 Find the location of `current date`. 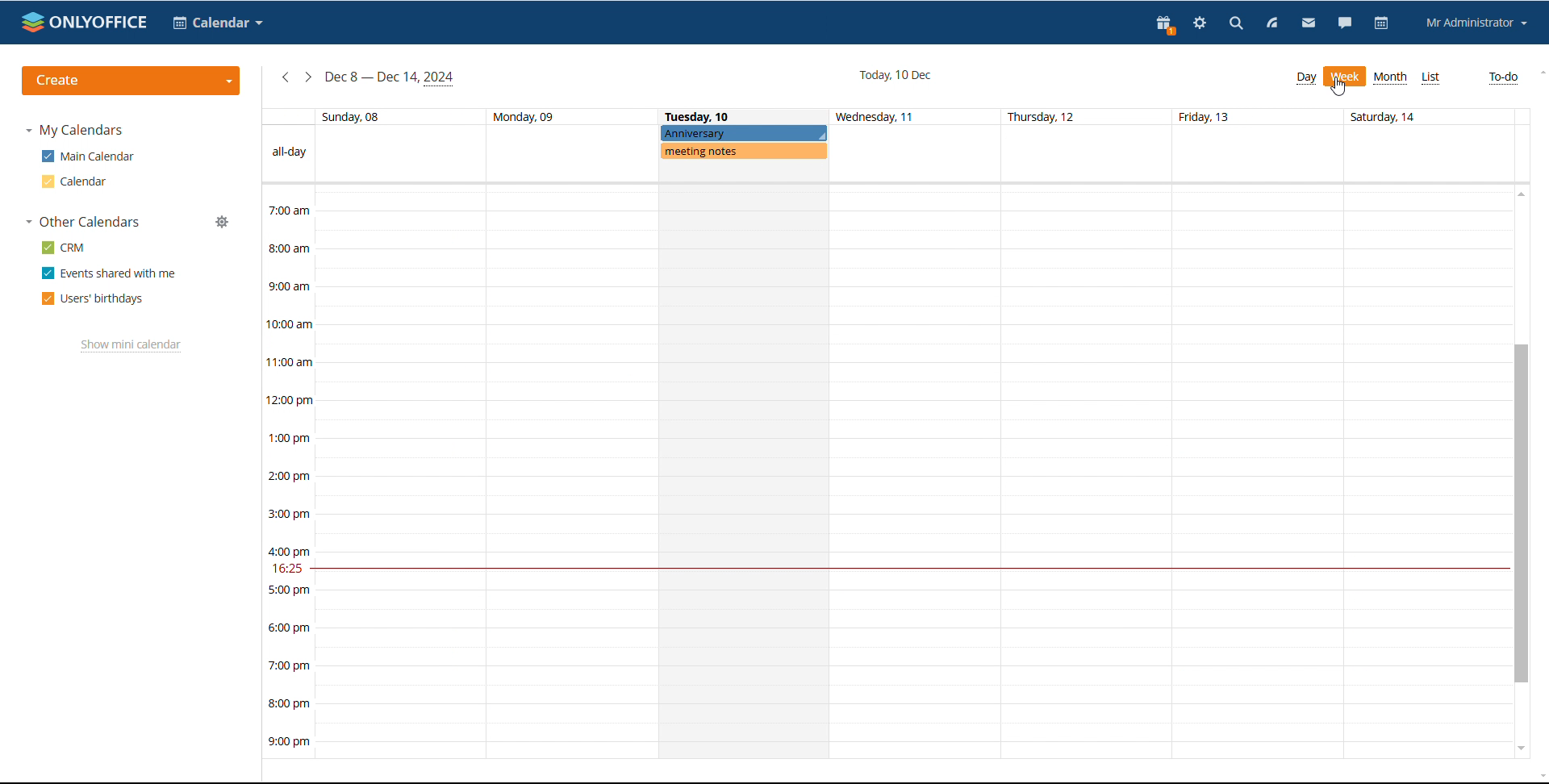

current date is located at coordinates (896, 75).